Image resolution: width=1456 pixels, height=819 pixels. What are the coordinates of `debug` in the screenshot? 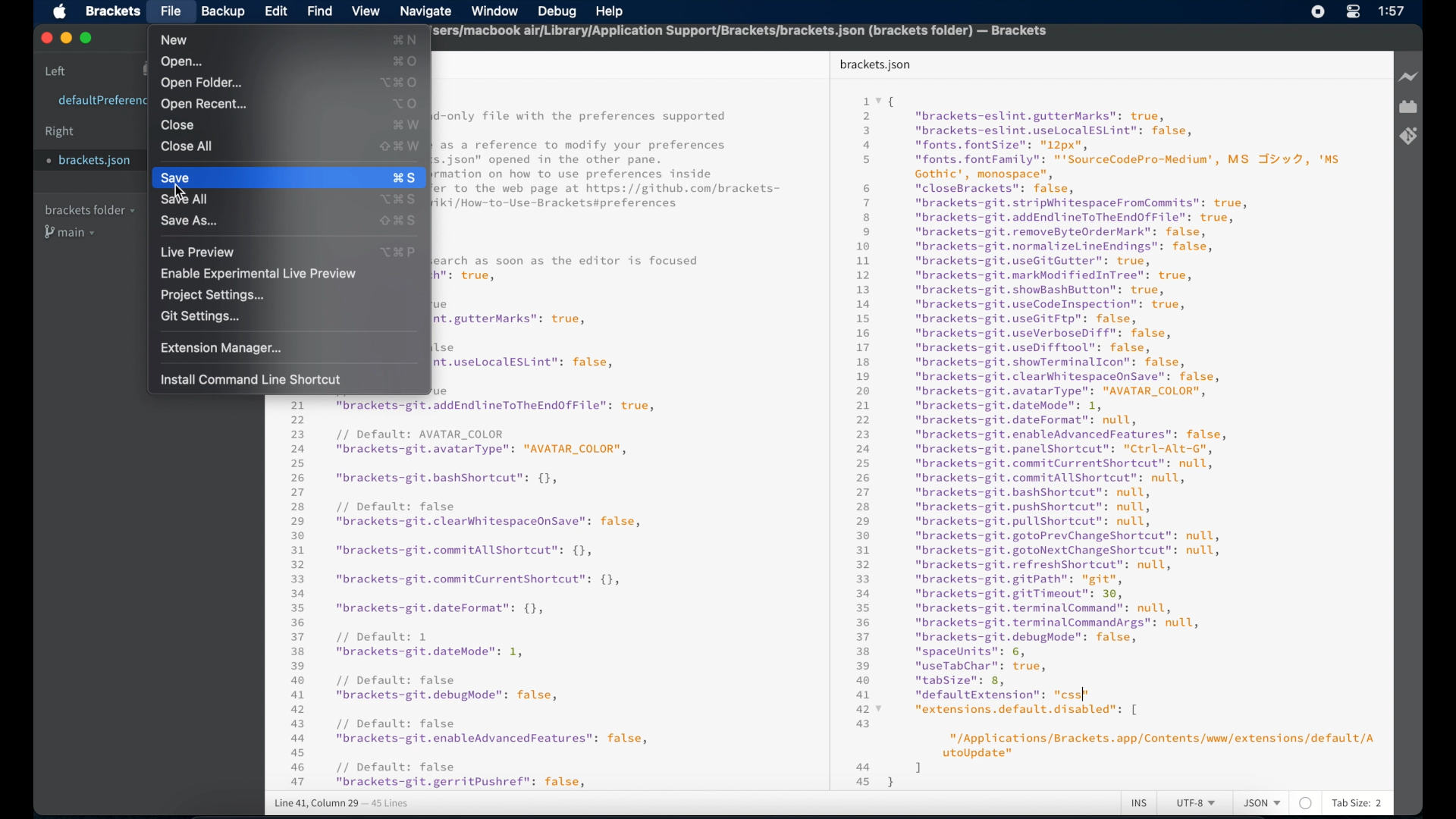 It's located at (557, 11).